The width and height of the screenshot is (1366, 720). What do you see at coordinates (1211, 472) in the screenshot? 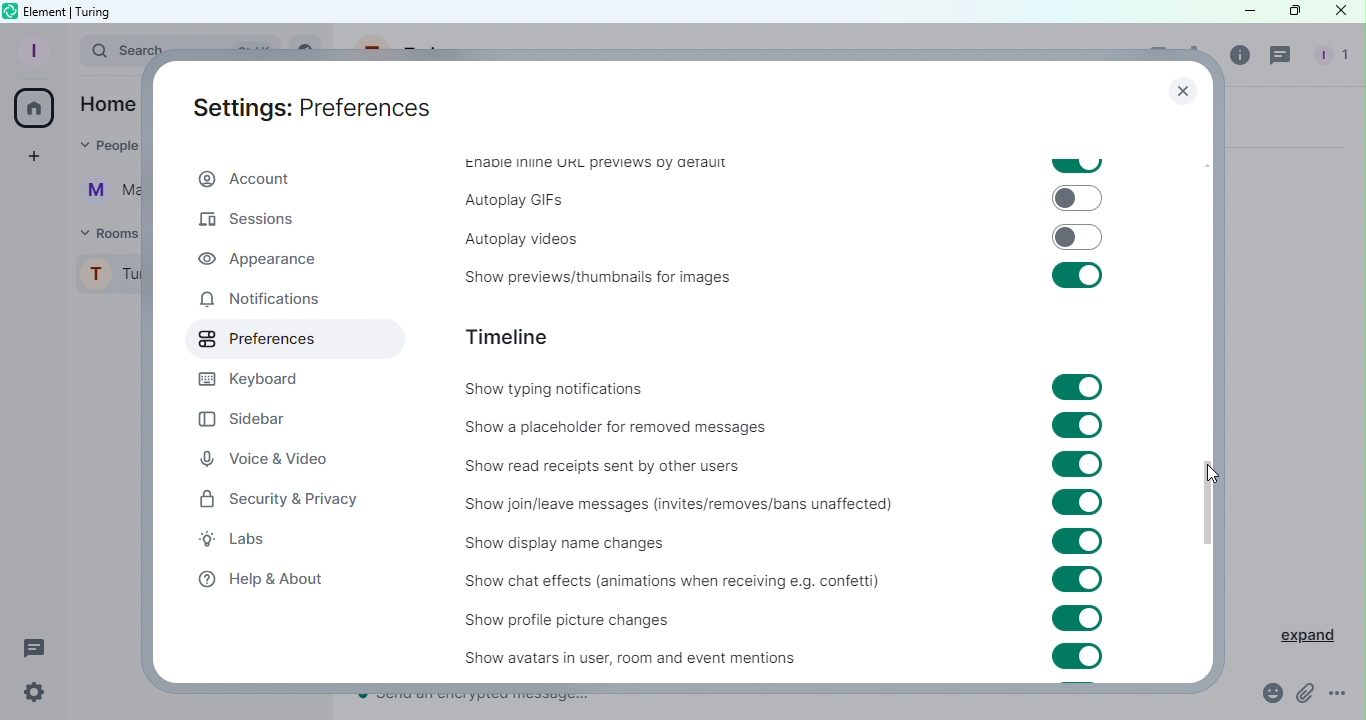
I see `Cursor` at bounding box center [1211, 472].